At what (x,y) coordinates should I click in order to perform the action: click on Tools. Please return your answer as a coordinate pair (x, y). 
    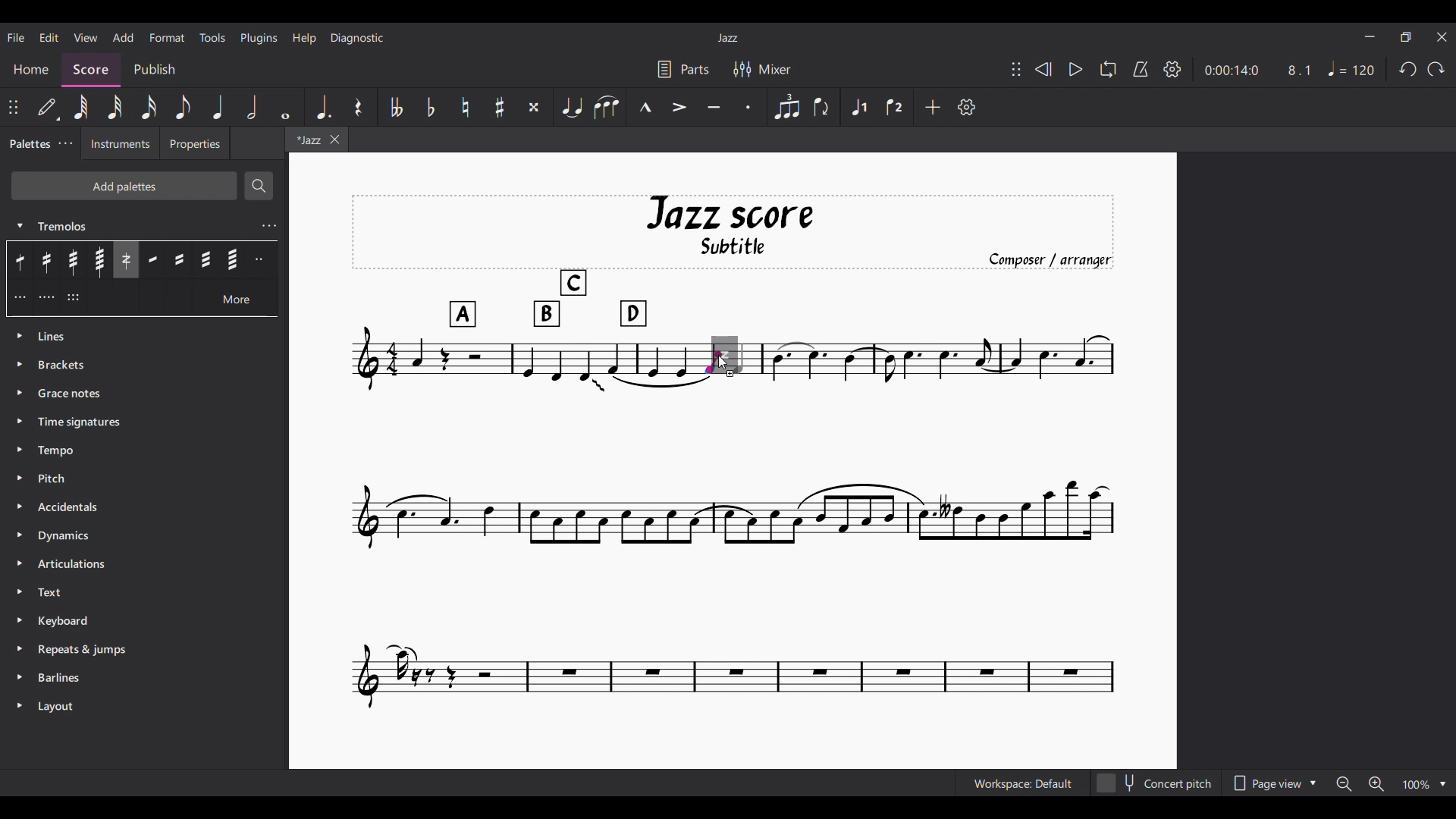
    Looking at the image, I should click on (212, 37).